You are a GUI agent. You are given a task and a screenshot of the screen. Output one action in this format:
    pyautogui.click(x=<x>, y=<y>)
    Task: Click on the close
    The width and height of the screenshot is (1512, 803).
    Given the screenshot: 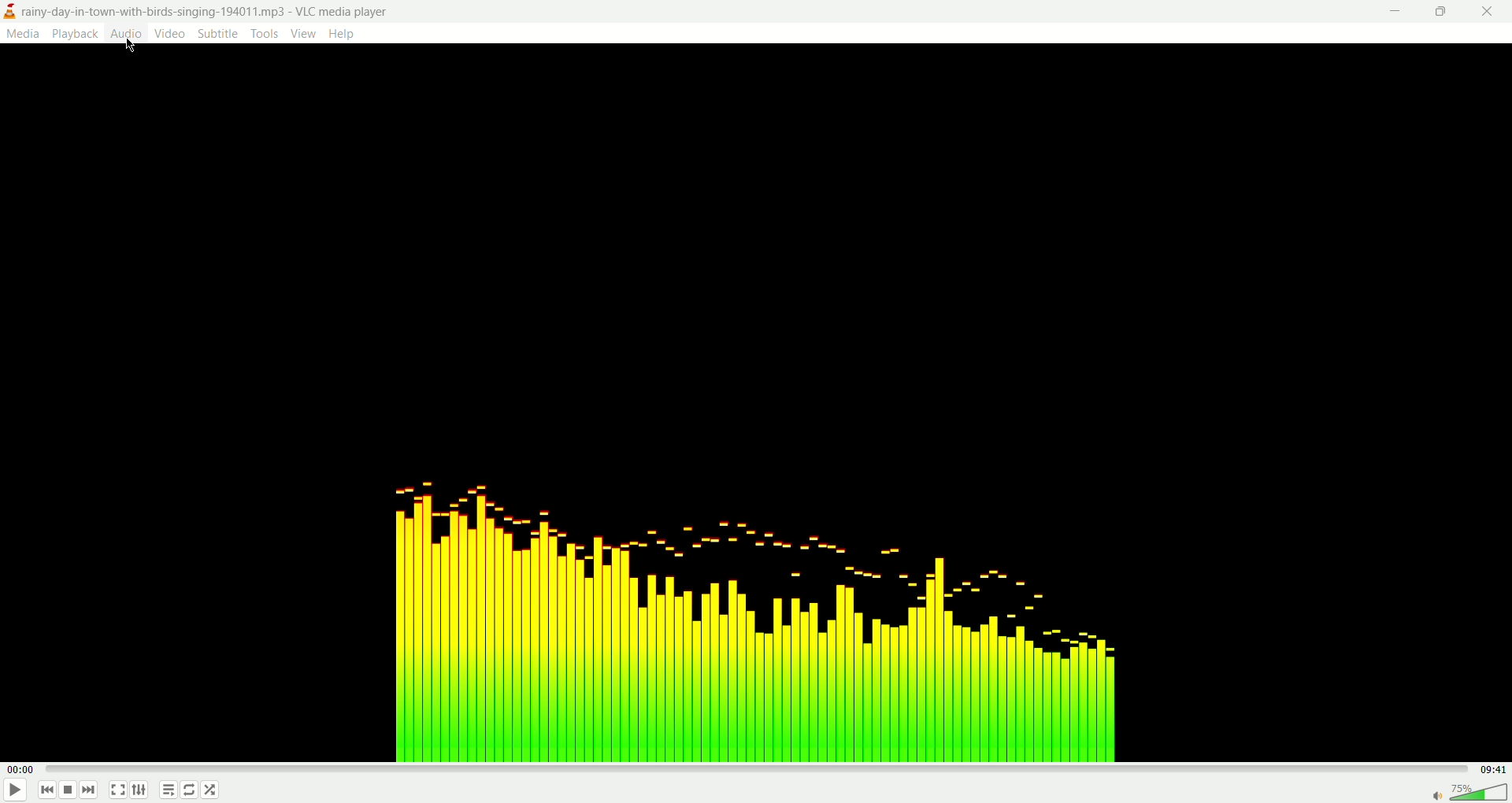 What is the action you would take?
    pyautogui.click(x=1495, y=12)
    